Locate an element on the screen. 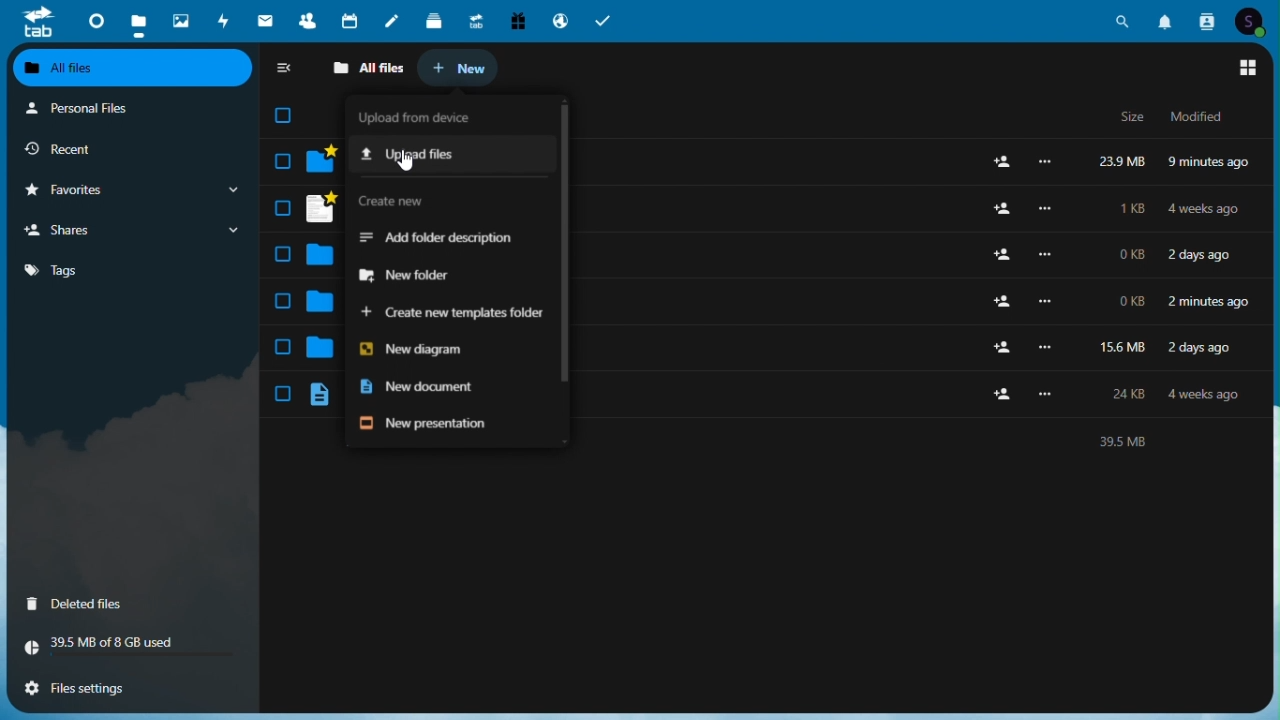 The image size is (1280, 720). select is located at coordinates (281, 348).